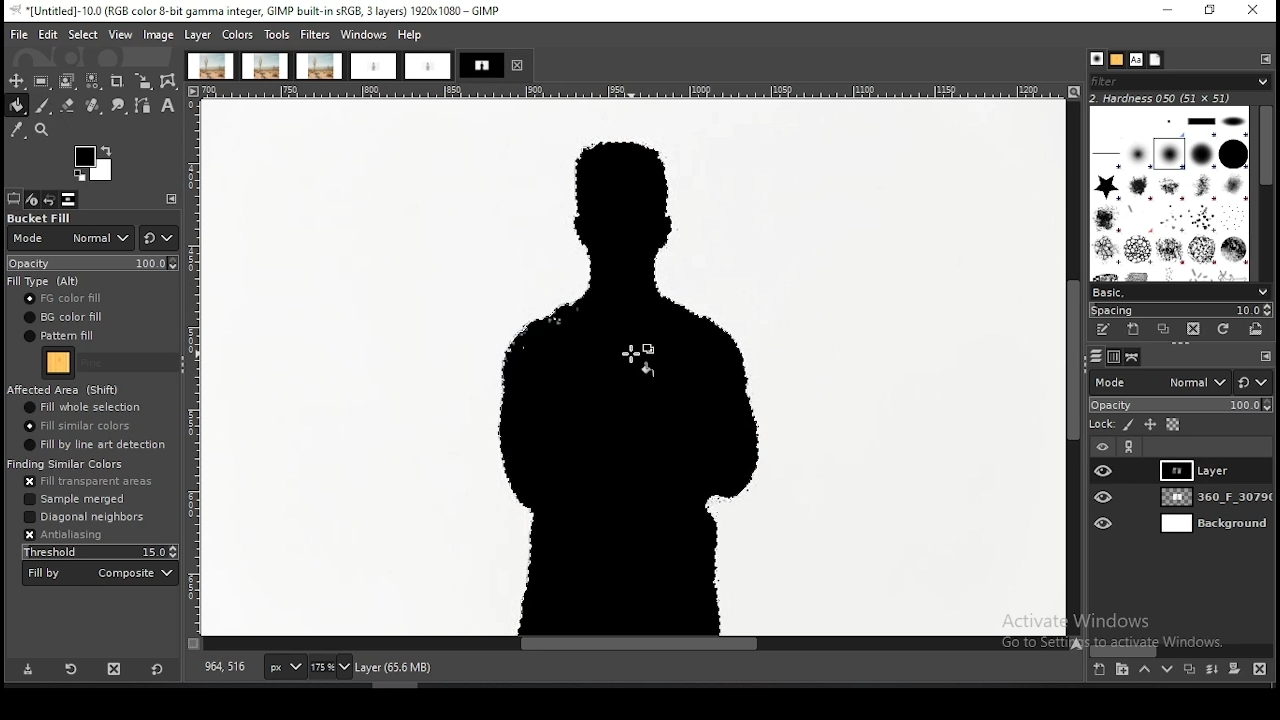 This screenshot has height=720, width=1280. Describe the element at coordinates (14, 199) in the screenshot. I see `tool options` at that location.